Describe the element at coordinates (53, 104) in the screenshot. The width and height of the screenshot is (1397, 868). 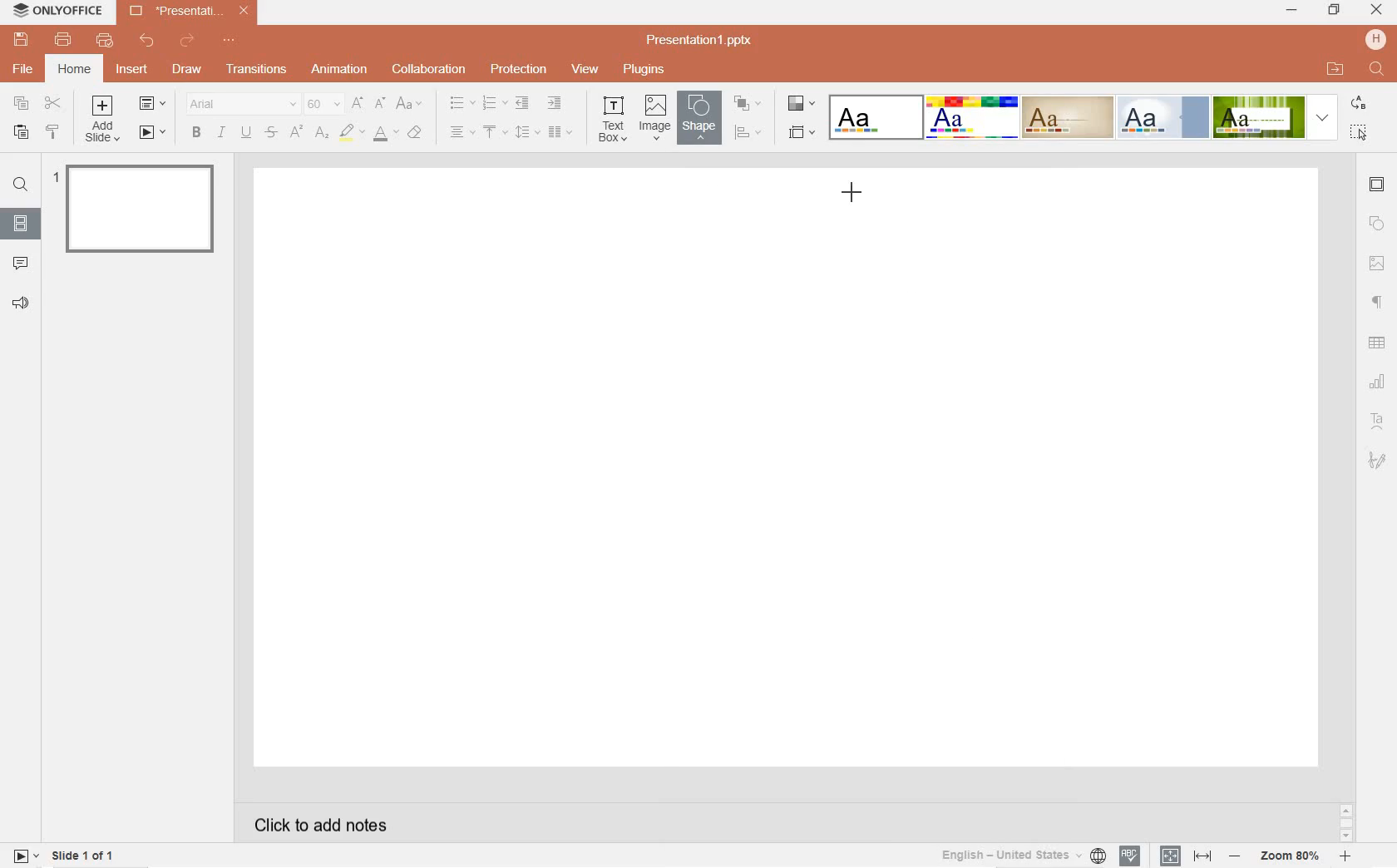
I see `cut` at that location.